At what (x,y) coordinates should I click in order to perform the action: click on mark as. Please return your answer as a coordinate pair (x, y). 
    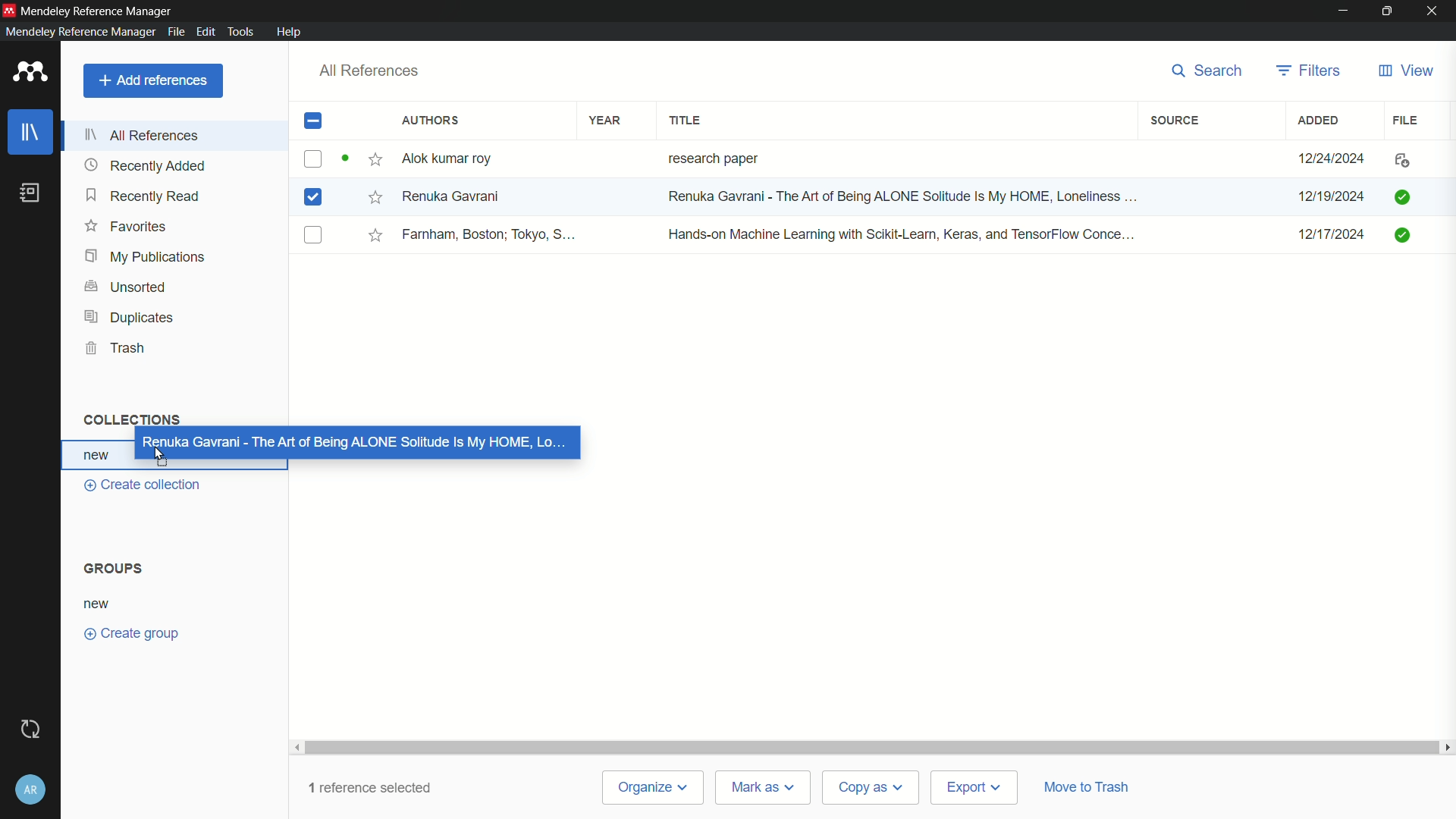
    Looking at the image, I should click on (765, 787).